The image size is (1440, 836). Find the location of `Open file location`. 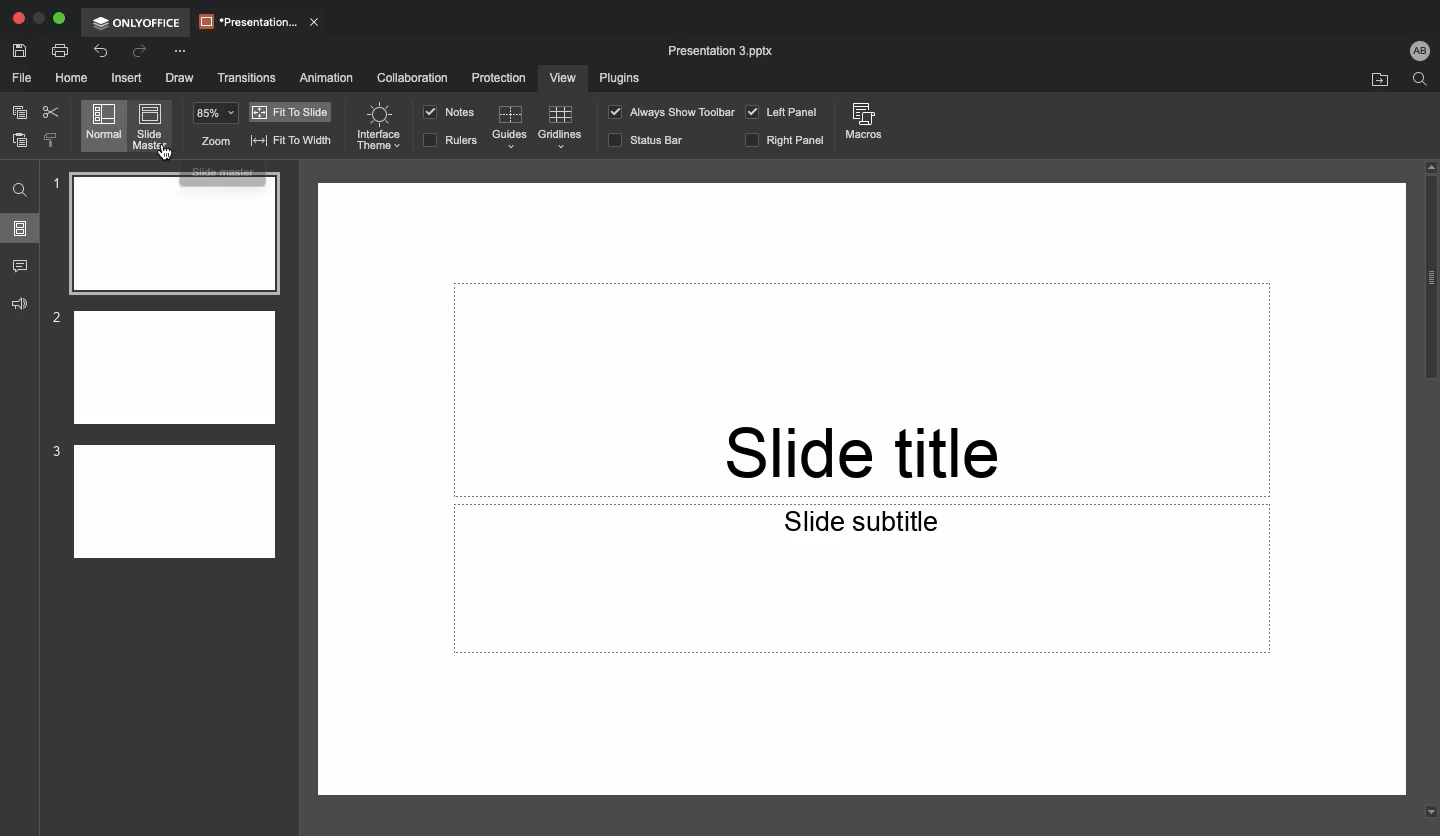

Open file location is located at coordinates (1376, 79).